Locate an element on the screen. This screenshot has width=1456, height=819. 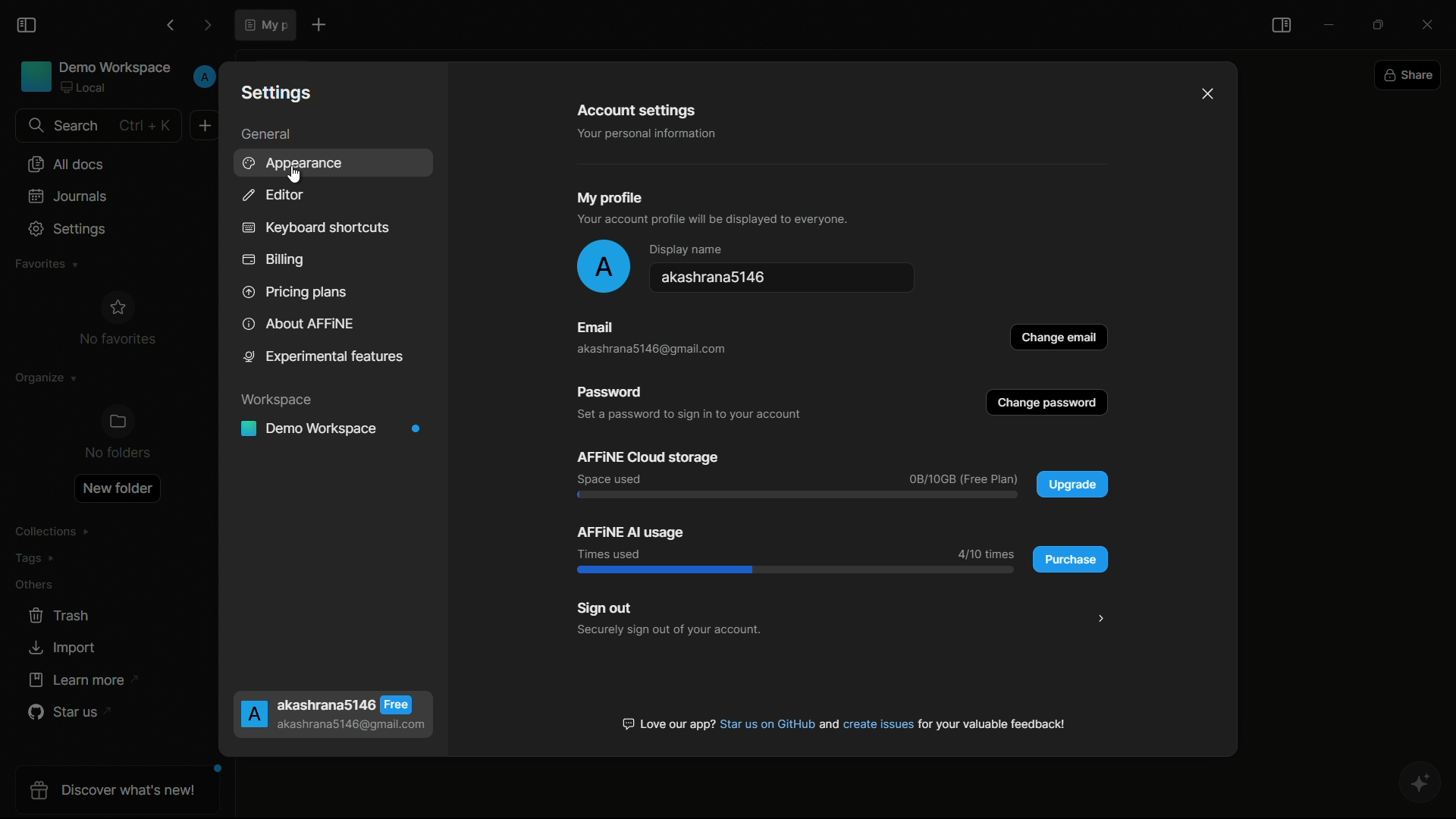
billing is located at coordinates (274, 260).